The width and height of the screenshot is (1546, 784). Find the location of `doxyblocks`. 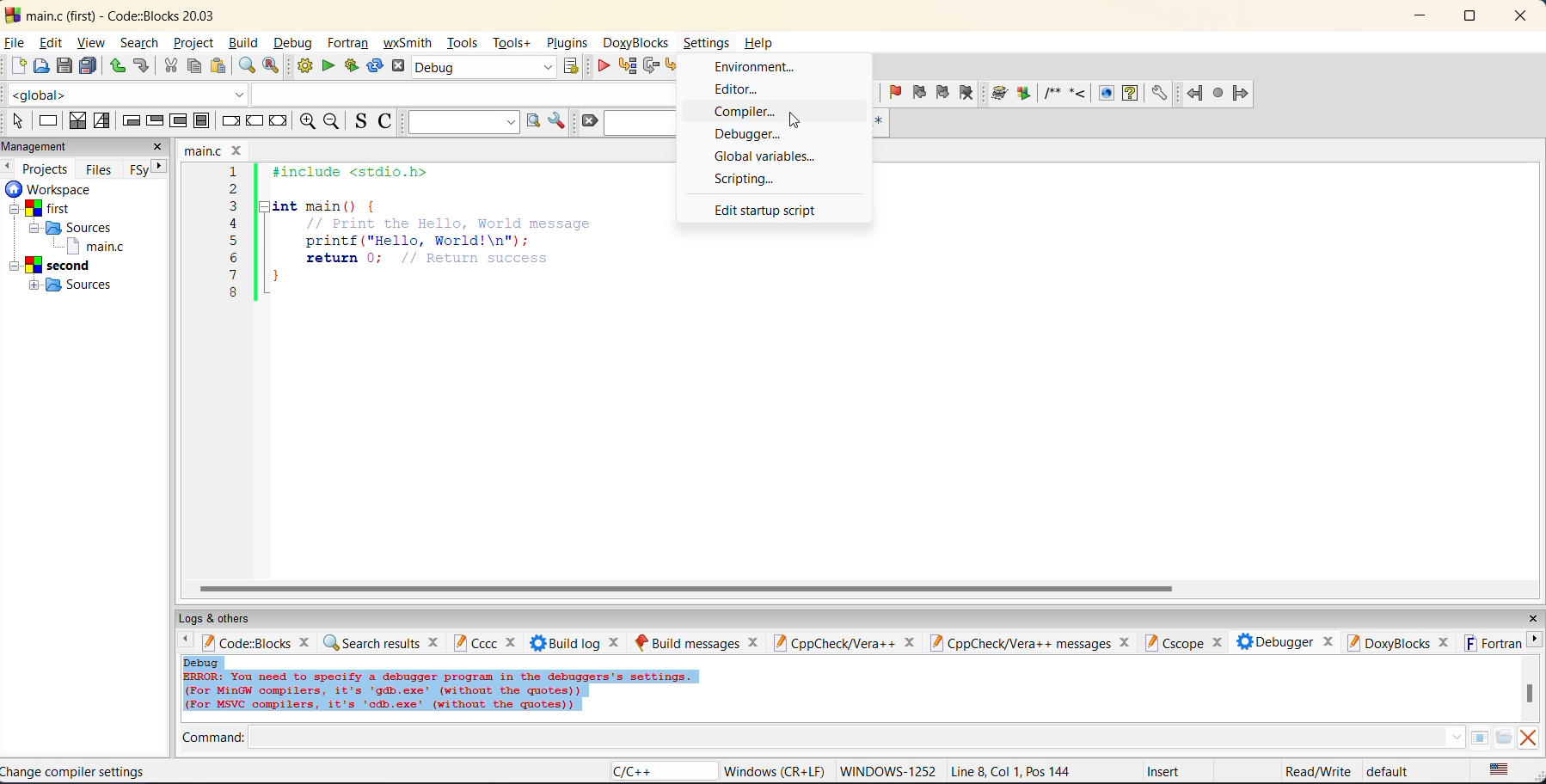

doxyblocks is located at coordinates (635, 42).